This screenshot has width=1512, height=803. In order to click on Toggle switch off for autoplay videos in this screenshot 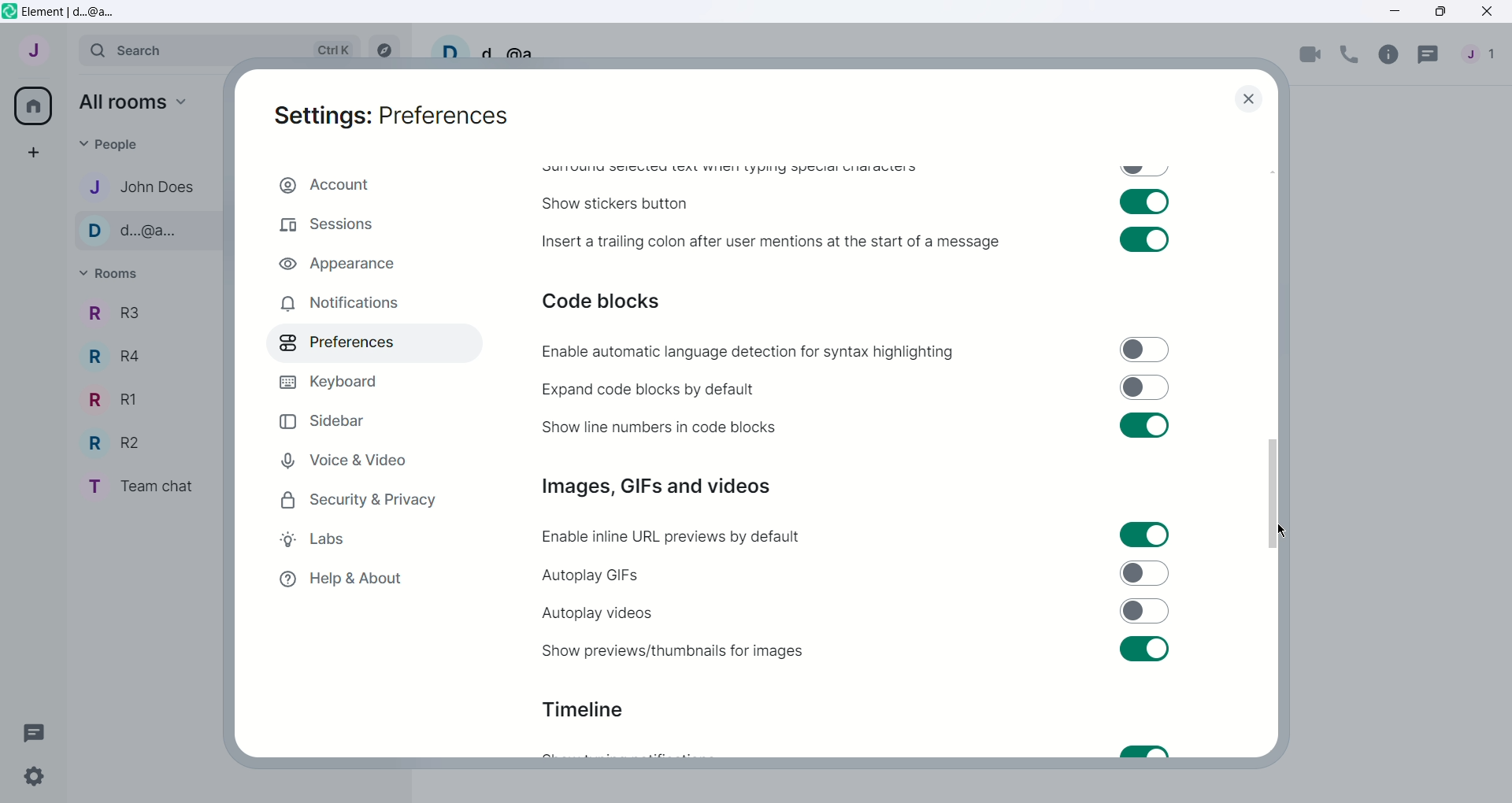, I will do `click(1145, 611)`.